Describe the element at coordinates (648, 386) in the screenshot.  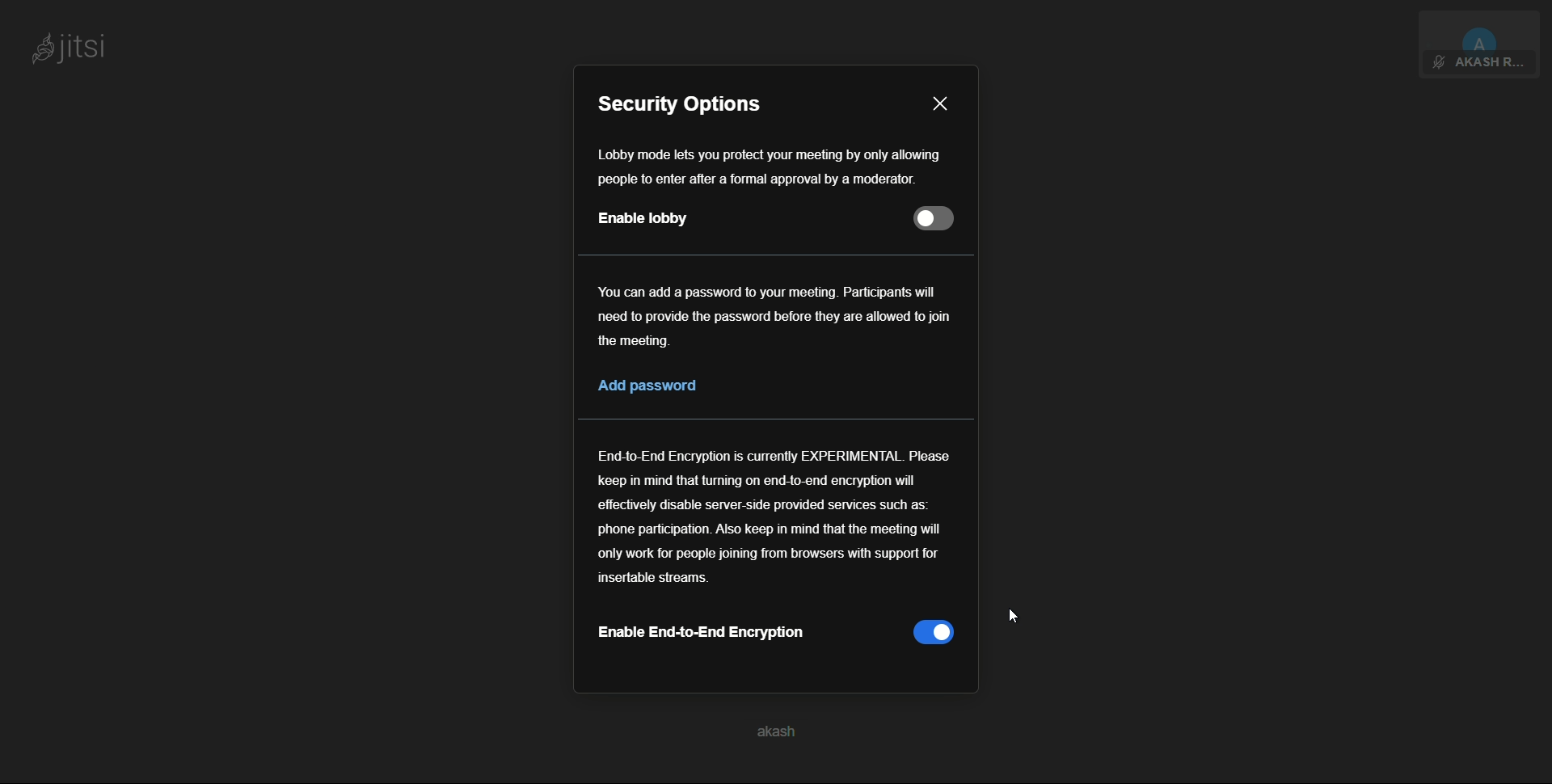
I see `add password` at that location.